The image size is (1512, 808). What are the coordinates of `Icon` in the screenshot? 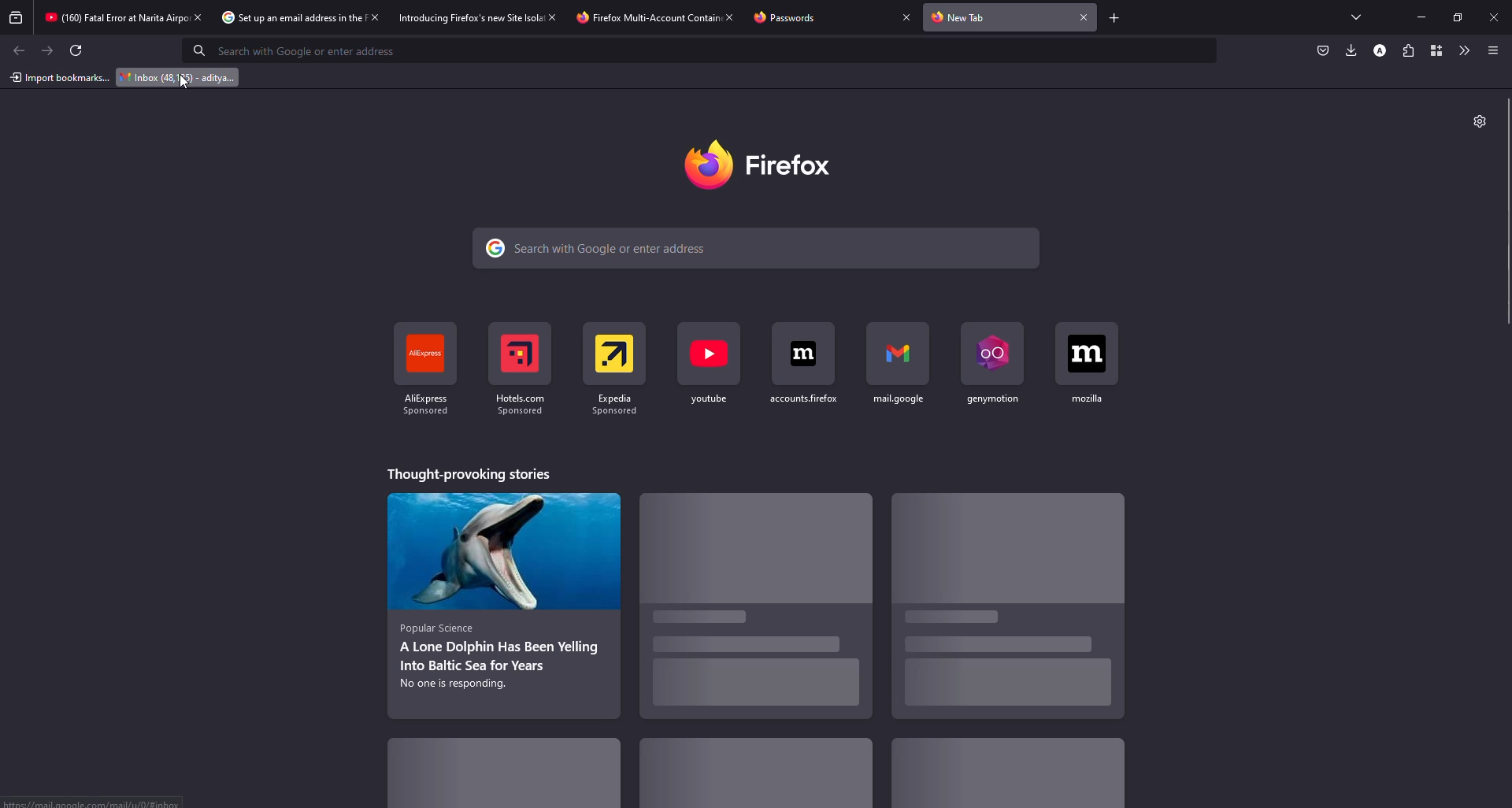 It's located at (511, 354).